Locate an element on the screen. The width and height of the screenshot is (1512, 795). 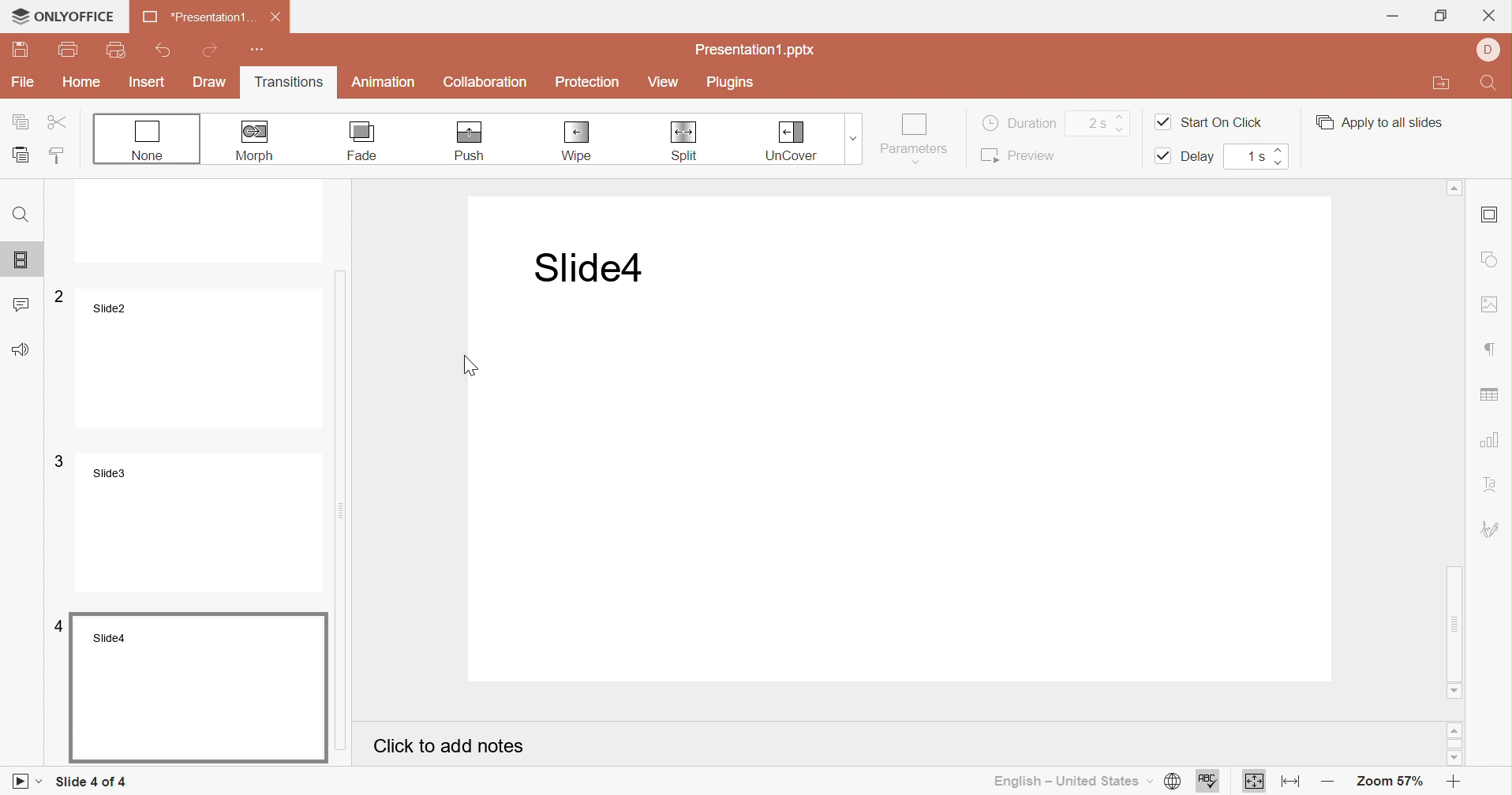
Insert is located at coordinates (148, 82).